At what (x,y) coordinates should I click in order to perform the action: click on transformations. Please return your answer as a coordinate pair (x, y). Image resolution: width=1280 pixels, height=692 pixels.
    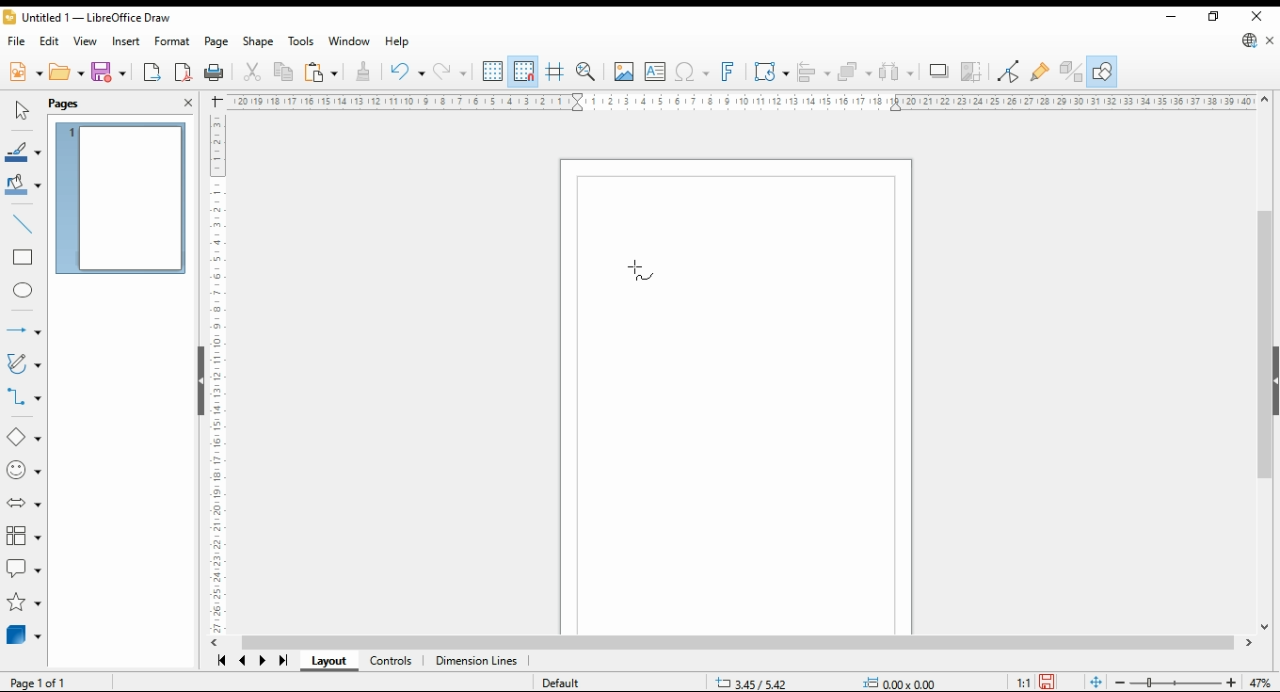
    Looking at the image, I should click on (771, 74).